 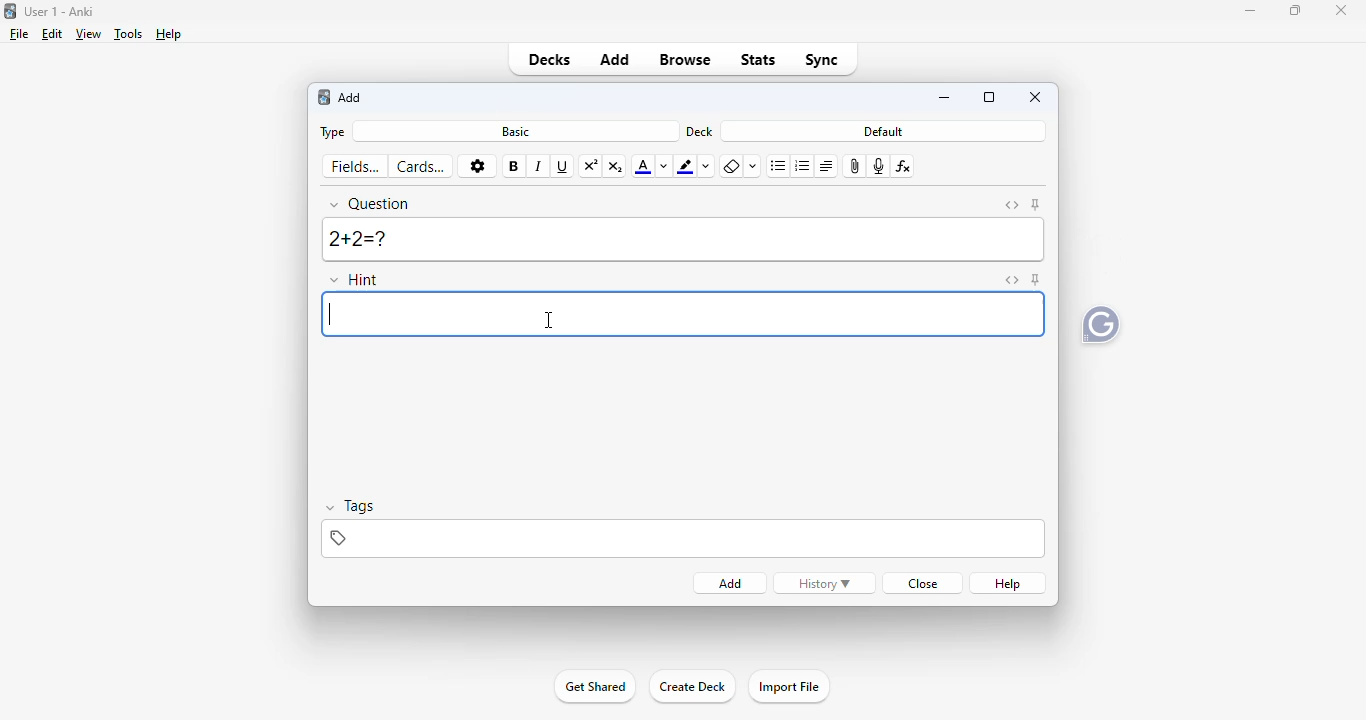 What do you see at coordinates (355, 167) in the screenshot?
I see `fields` at bounding box center [355, 167].